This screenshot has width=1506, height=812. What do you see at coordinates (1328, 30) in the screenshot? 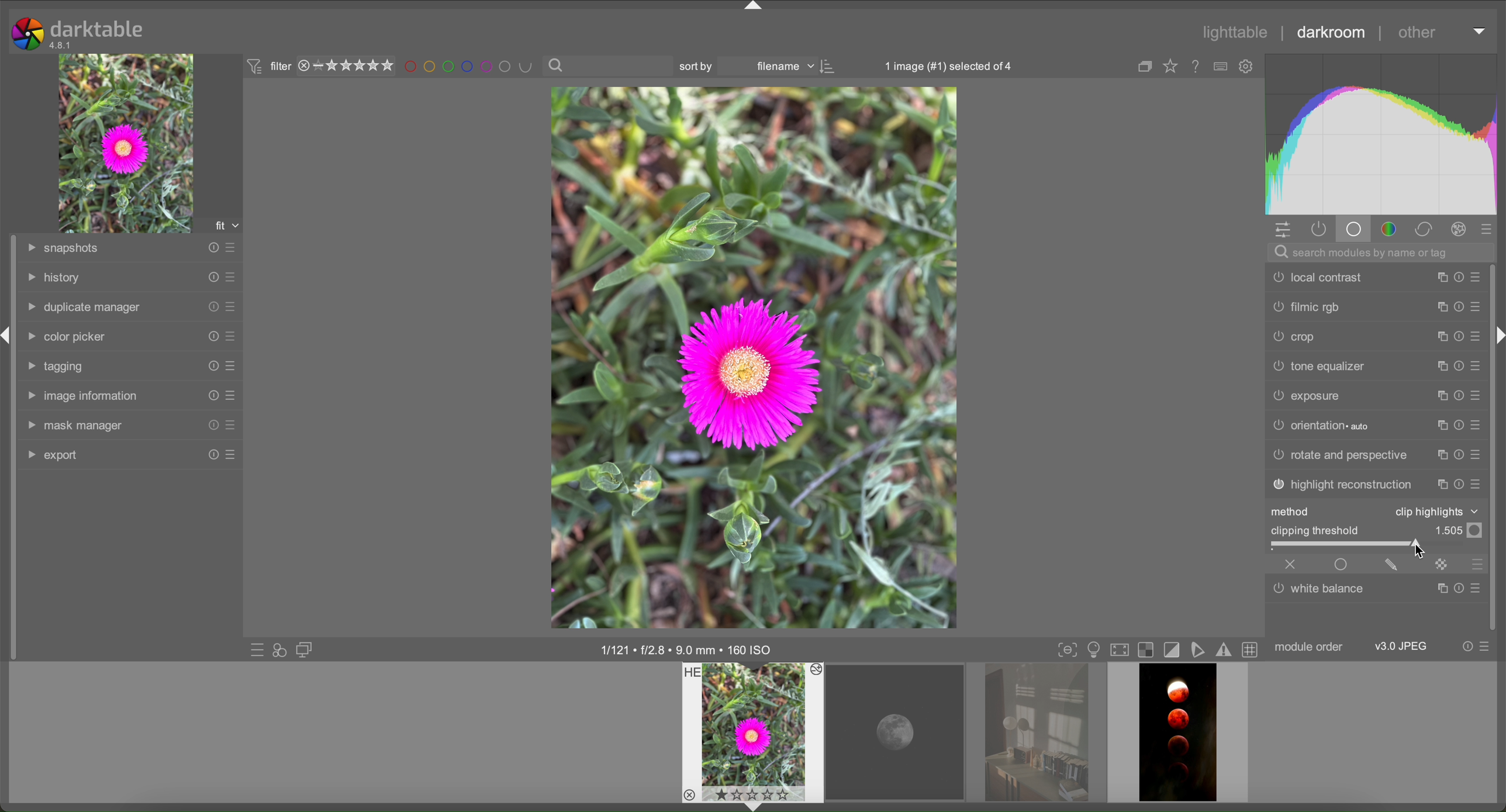
I see `darkroom` at bounding box center [1328, 30].